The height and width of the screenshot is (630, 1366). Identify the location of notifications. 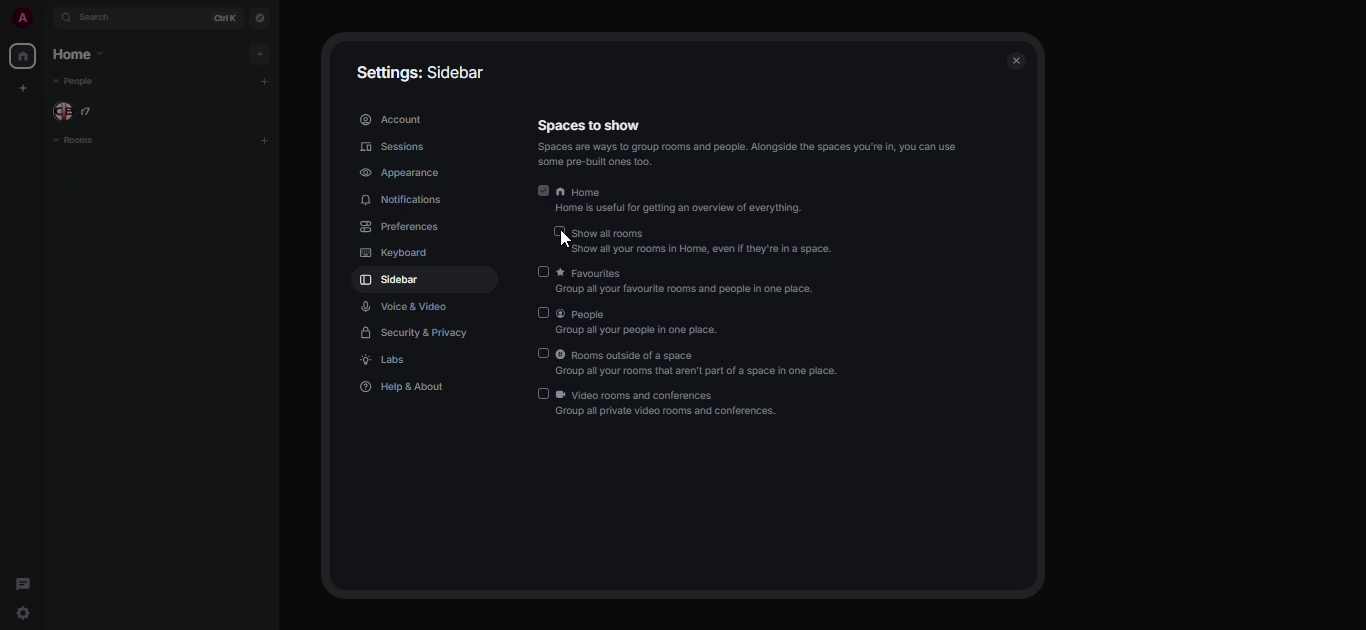
(404, 202).